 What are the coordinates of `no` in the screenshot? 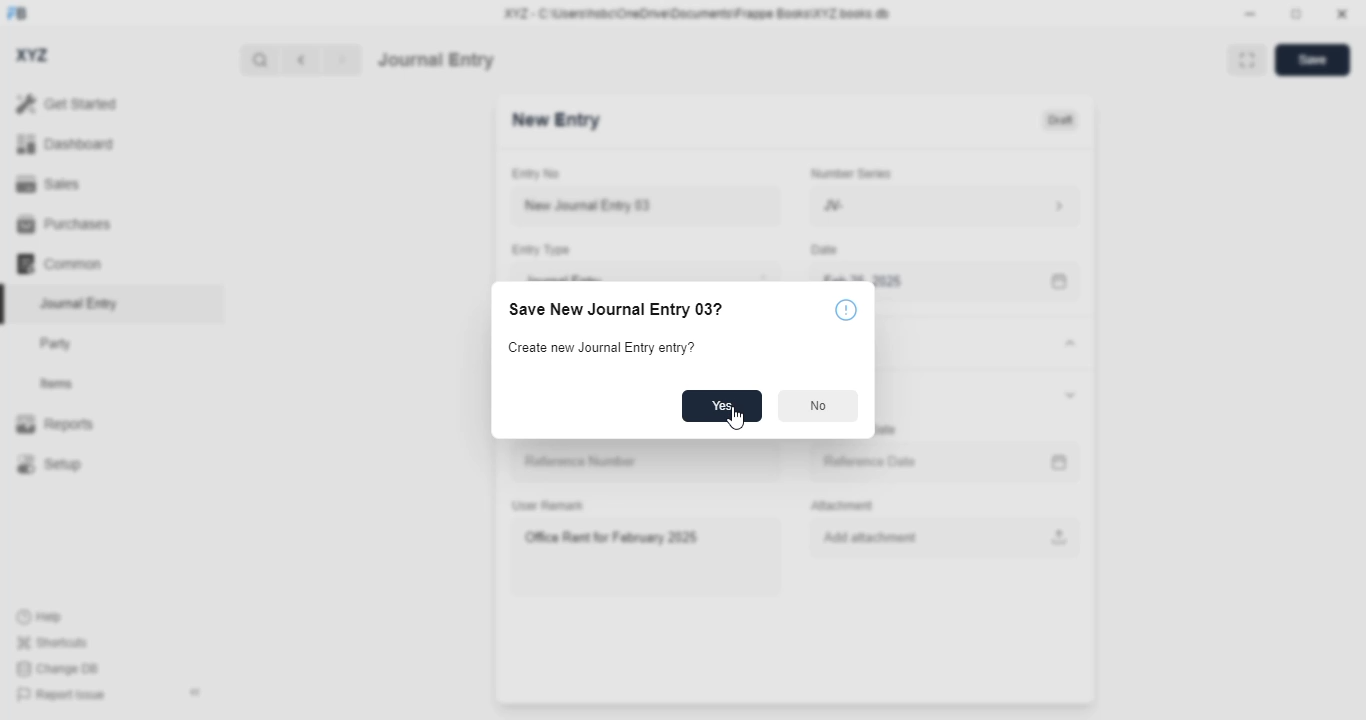 It's located at (818, 405).